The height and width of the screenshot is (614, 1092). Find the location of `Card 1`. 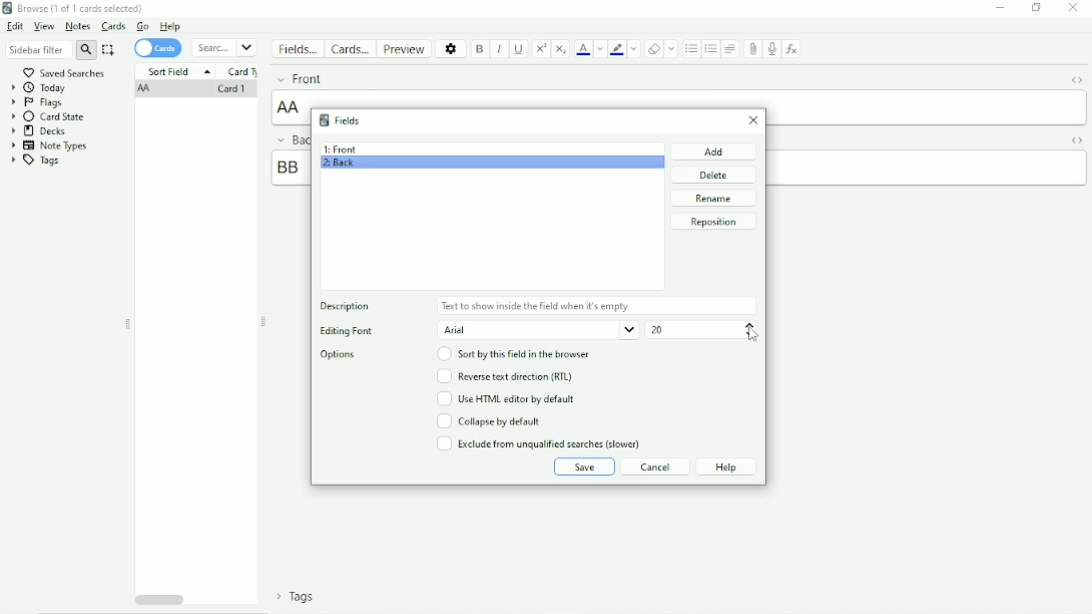

Card 1 is located at coordinates (230, 90).